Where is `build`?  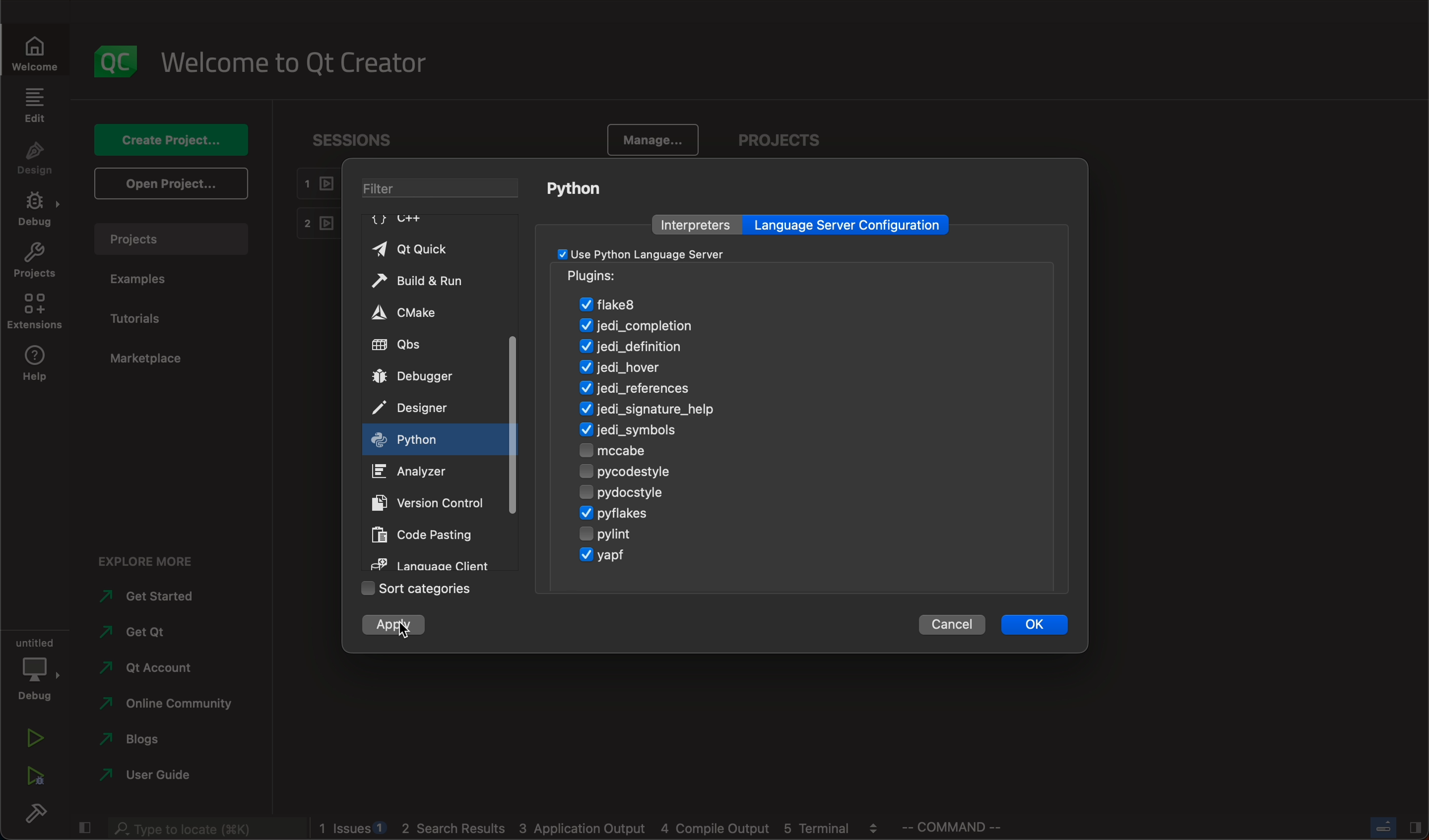
build is located at coordinates (34, 813).